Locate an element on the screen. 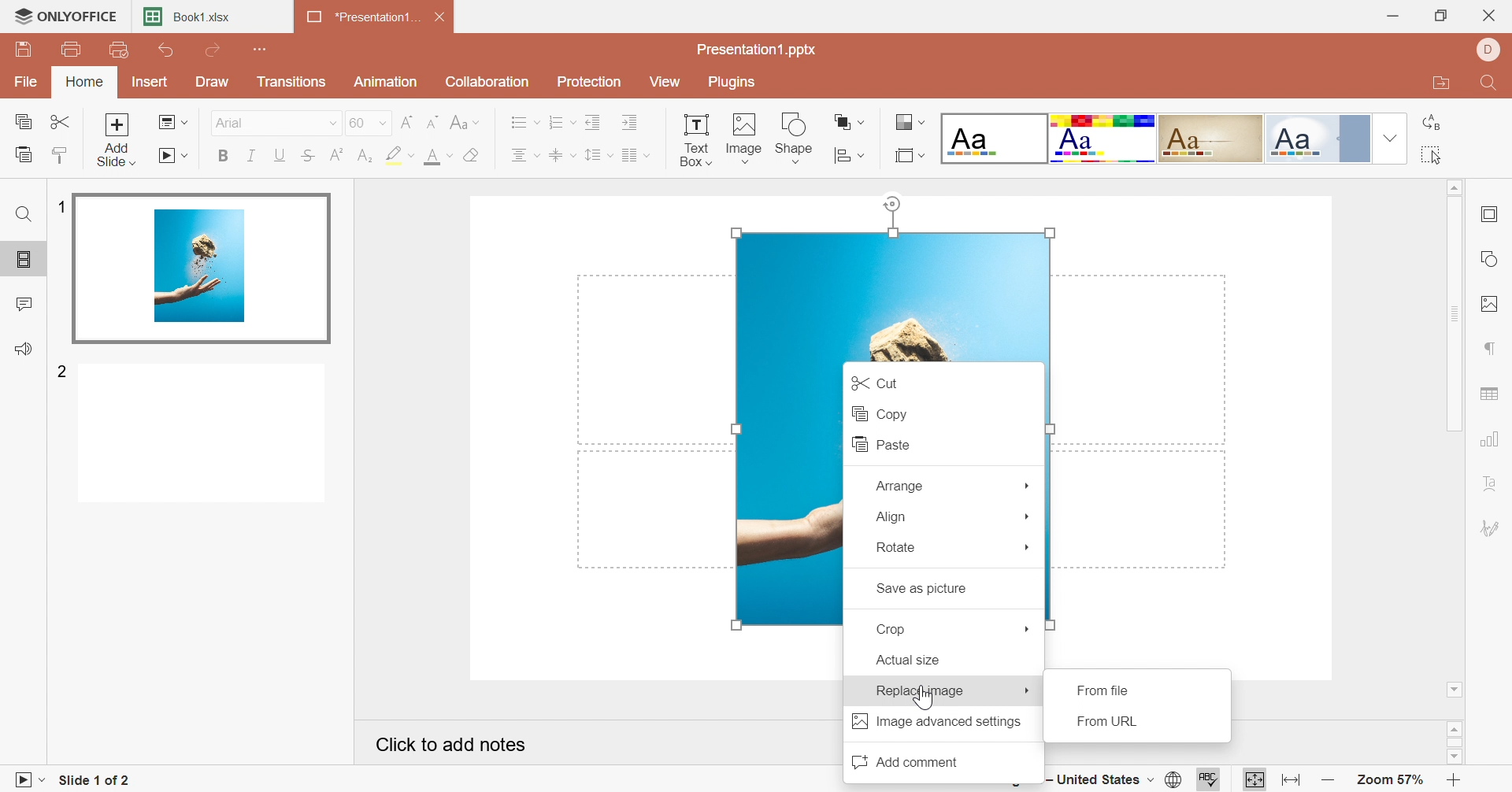  Insert is located at coordinates (150, 81).